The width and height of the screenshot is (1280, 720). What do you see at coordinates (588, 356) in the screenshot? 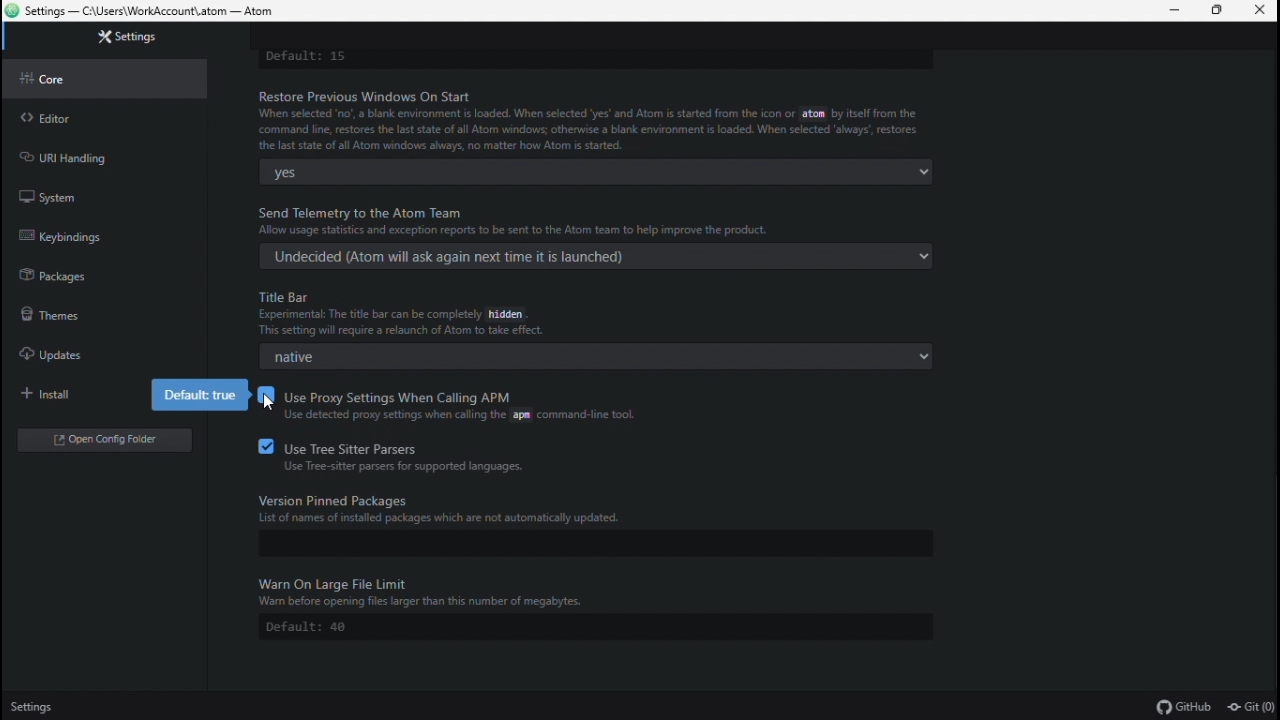
I see `native` at bounding box center [588, 356].